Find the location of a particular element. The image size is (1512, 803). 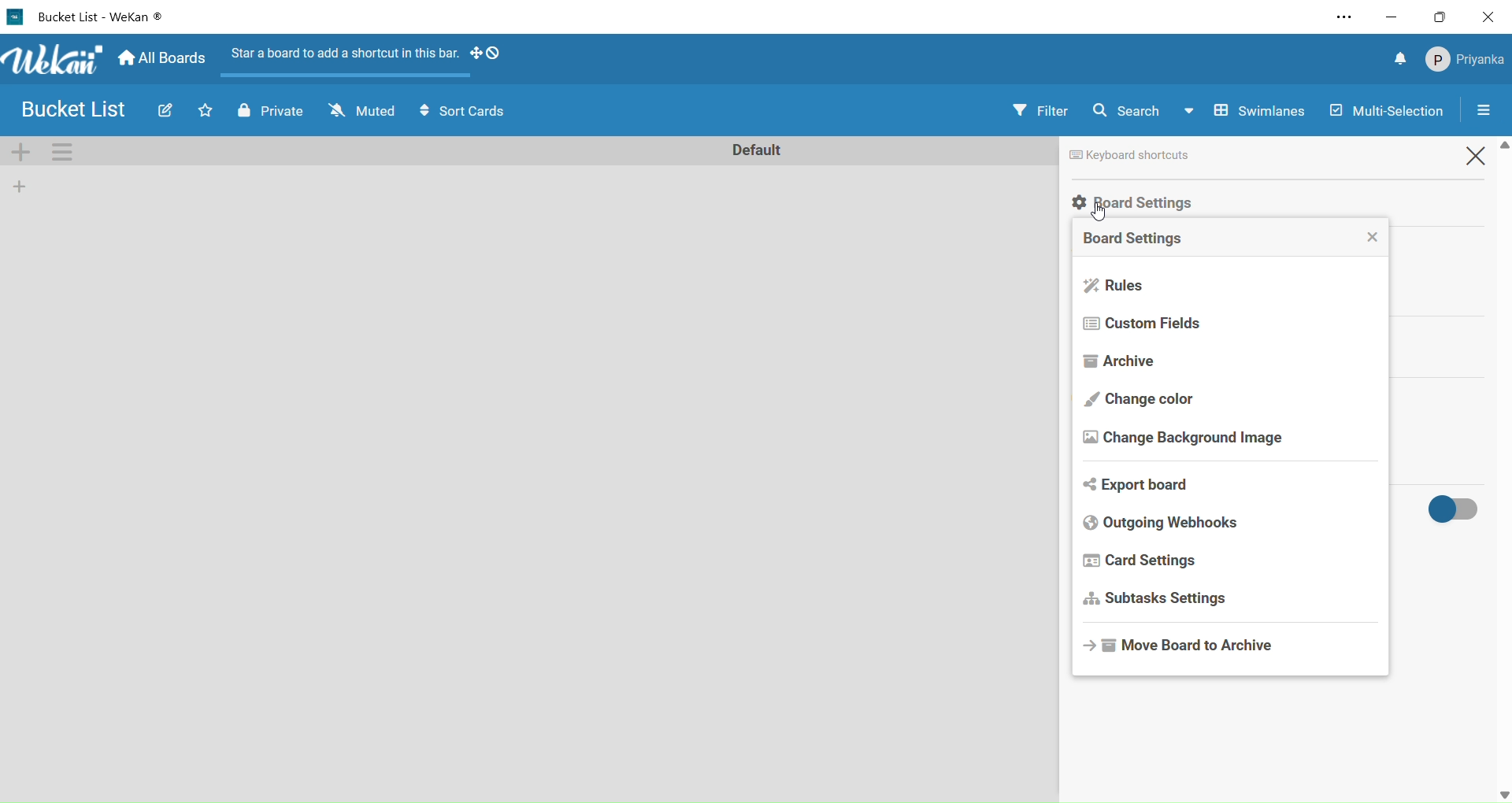

muted is located at coordinates (360, 111).